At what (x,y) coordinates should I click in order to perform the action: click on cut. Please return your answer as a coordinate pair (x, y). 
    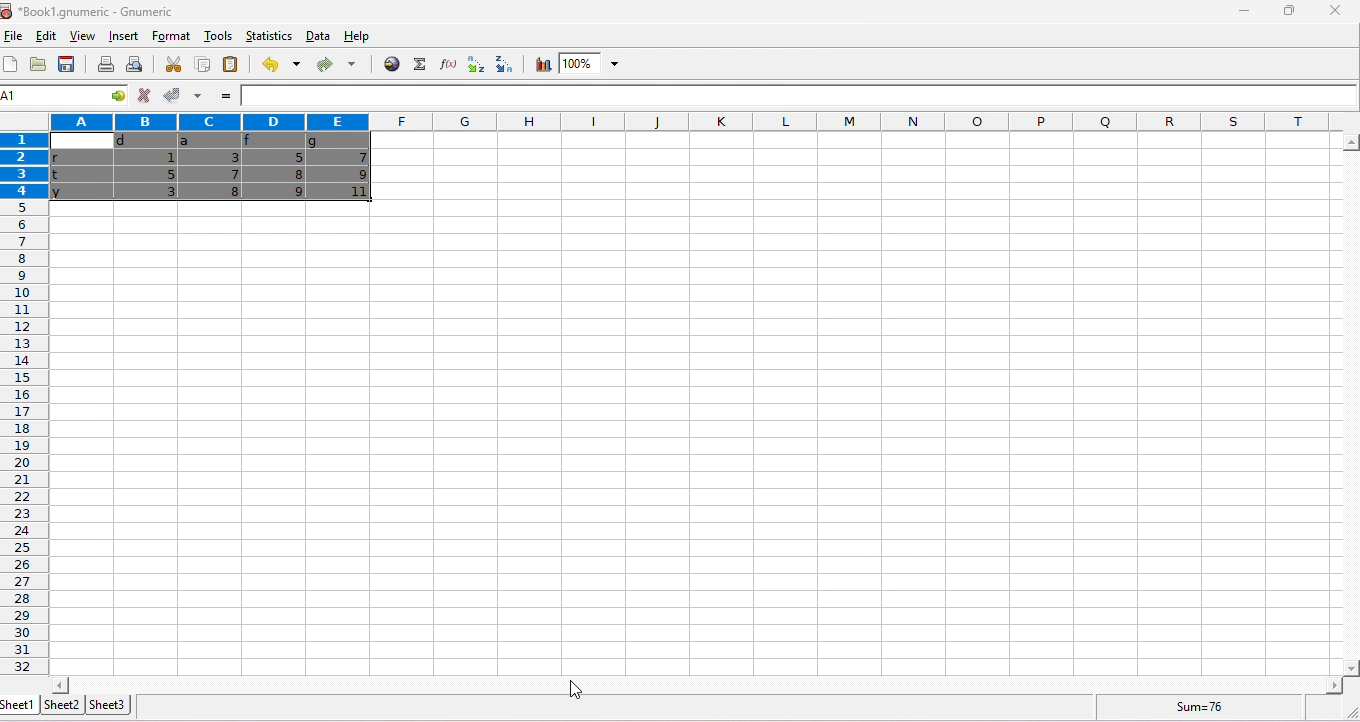
    Looking at the image, I should click on (174, 64).